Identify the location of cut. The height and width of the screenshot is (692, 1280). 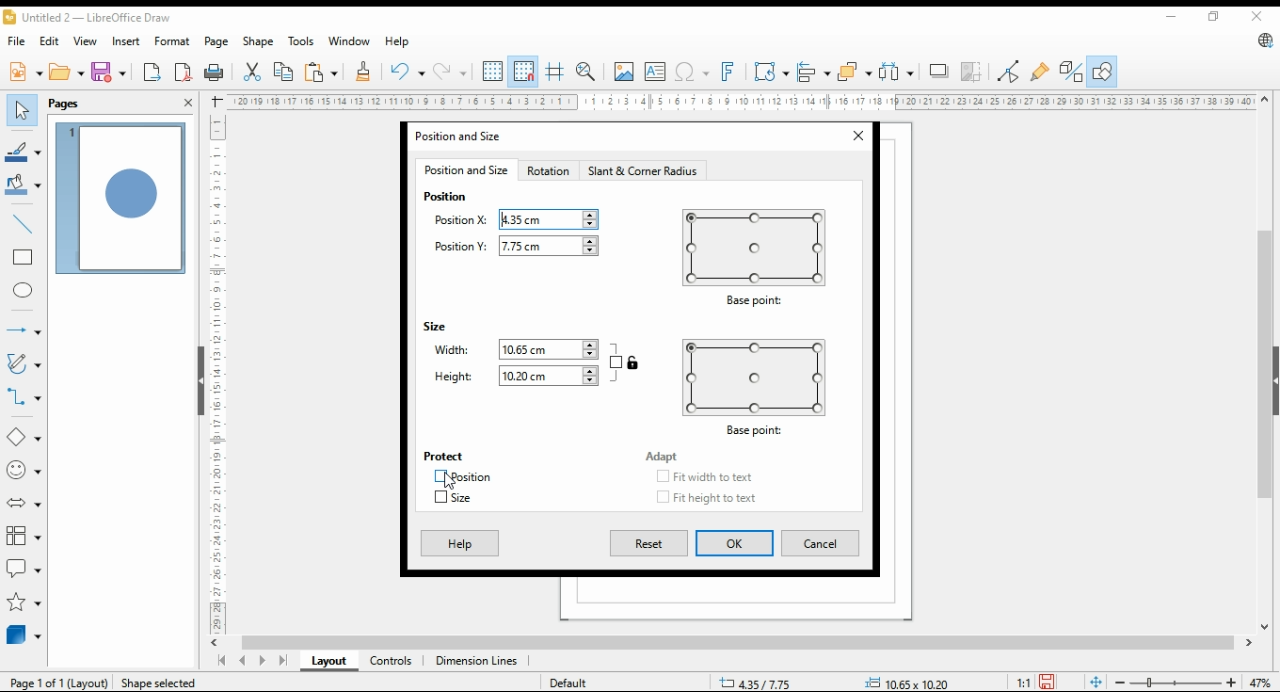
(253, 71).